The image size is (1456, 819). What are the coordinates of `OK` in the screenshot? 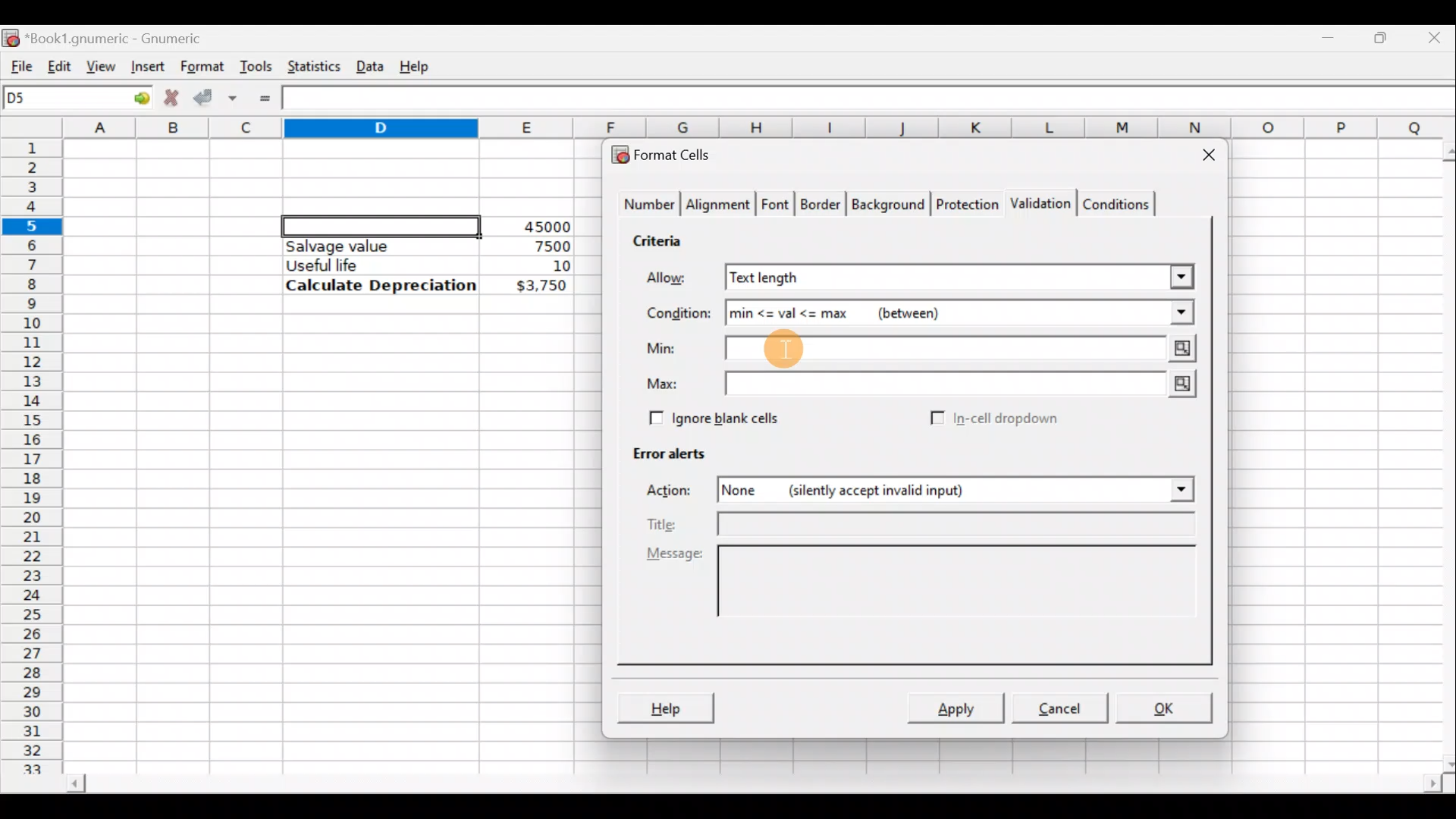 It's located at (1166, 708).